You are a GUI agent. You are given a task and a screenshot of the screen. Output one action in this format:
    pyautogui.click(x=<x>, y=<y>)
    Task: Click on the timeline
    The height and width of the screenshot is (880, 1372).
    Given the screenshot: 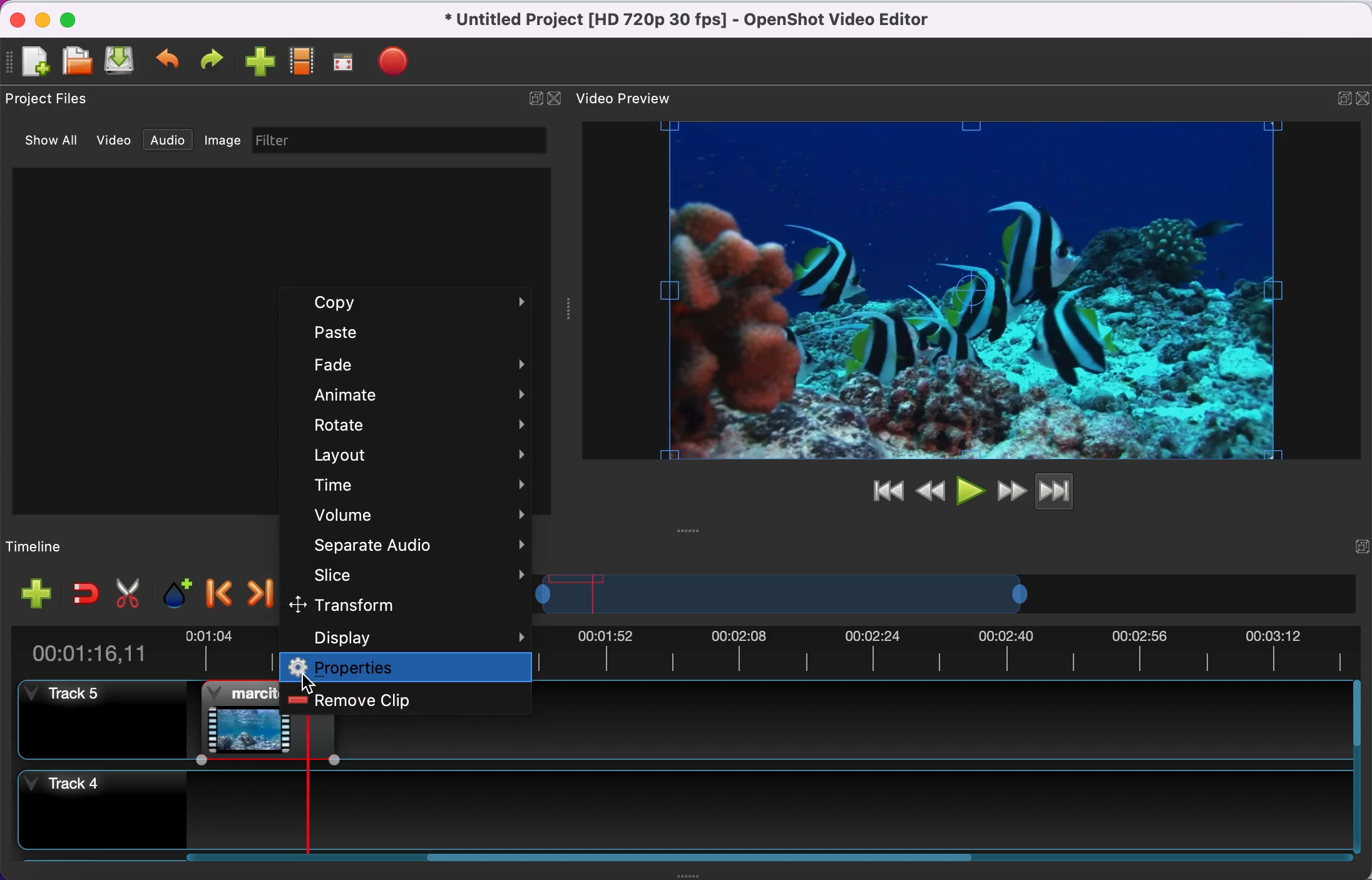 What is the action you would take?
    pyautogui.click(x=786, y=598)
    